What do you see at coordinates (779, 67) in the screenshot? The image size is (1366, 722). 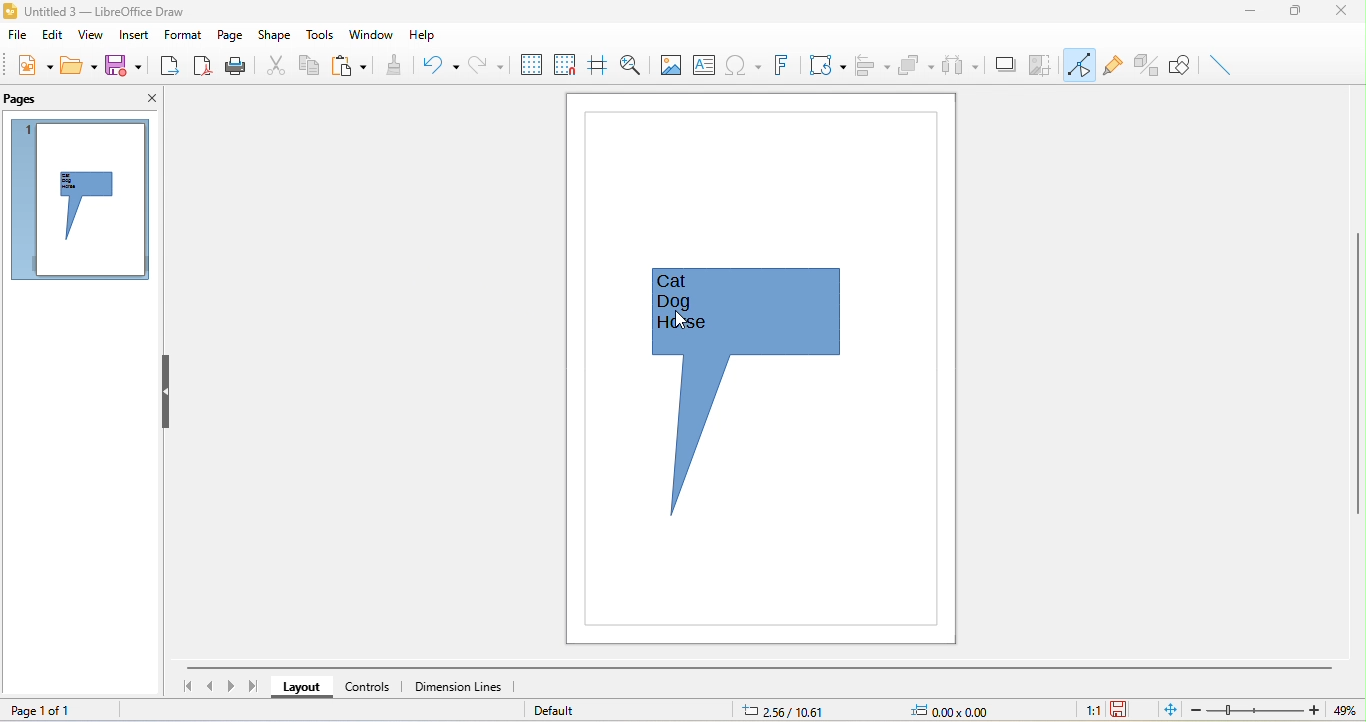 I see `fontwork text` at bounding box center [779, 67].